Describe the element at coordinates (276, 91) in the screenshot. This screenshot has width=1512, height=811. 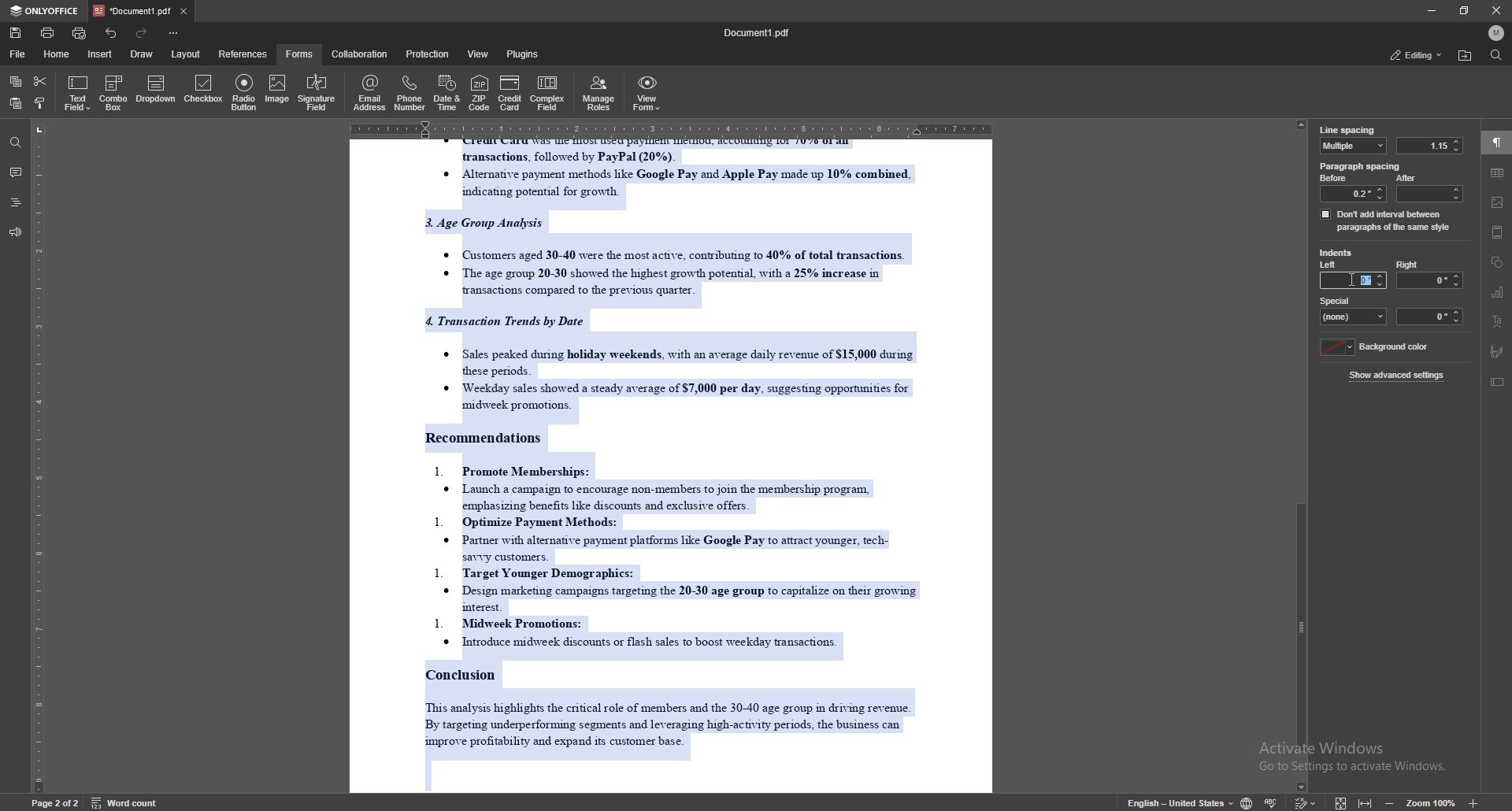
I see `image` at that location.